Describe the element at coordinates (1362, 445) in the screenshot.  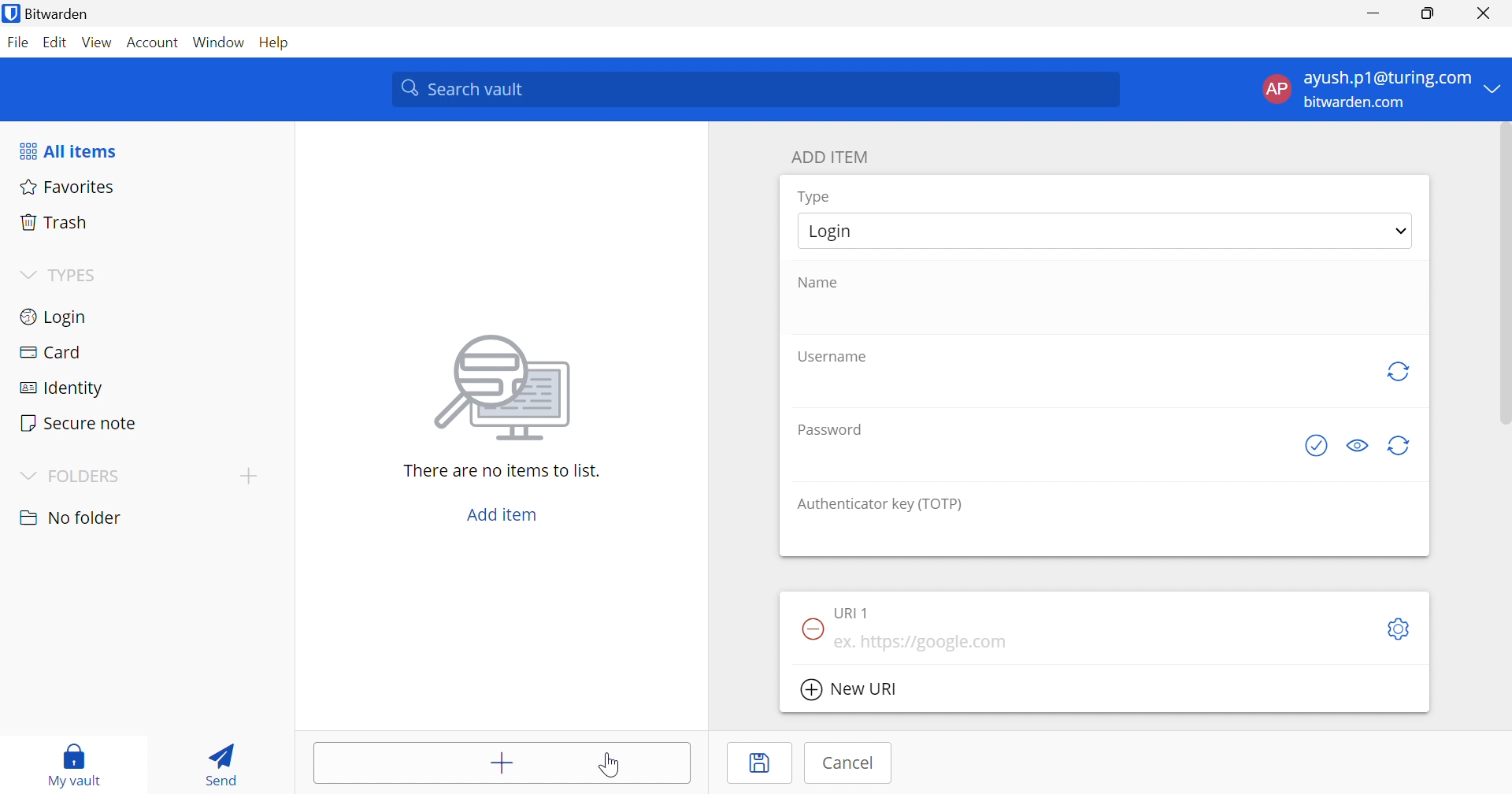
I see `Toggle visibility` at that location.